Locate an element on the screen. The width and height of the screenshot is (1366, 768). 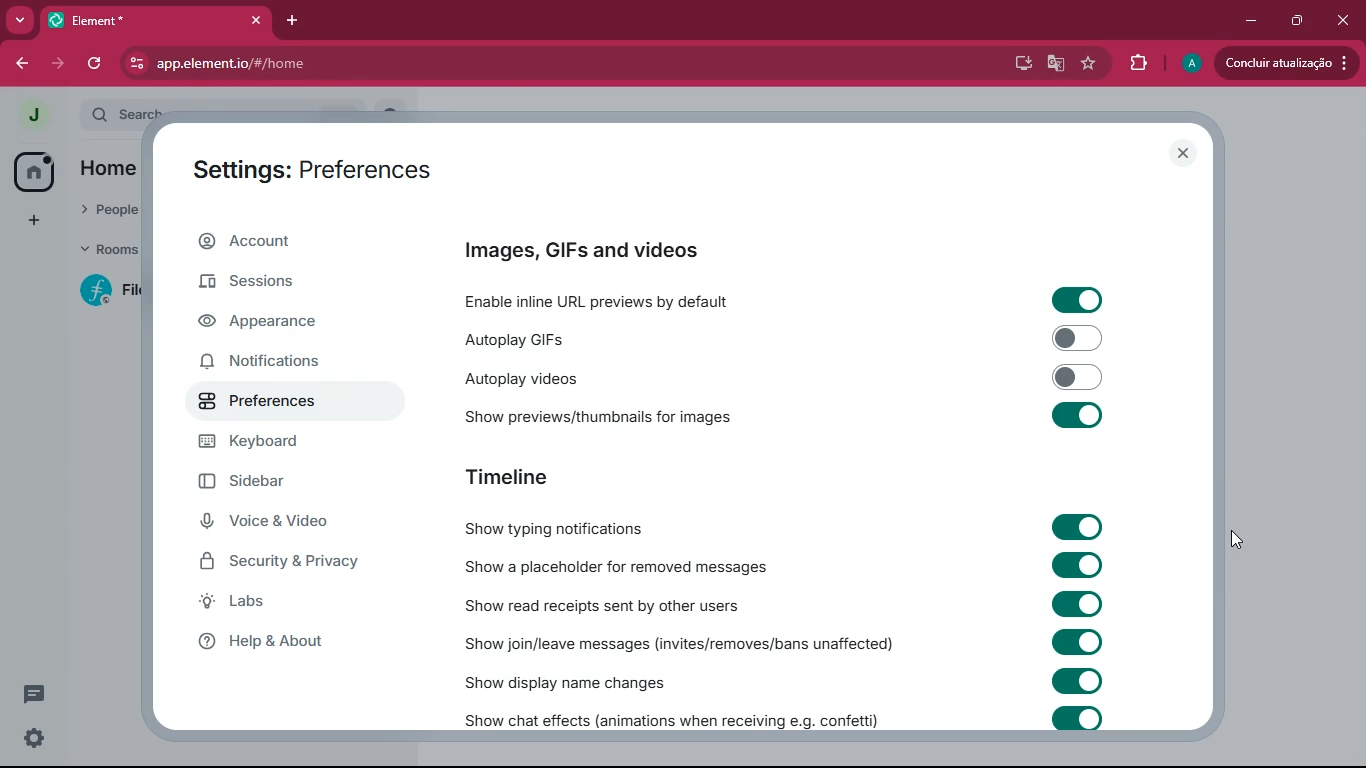
show a placeholder for removed messages is located at coordinates (628, 566).